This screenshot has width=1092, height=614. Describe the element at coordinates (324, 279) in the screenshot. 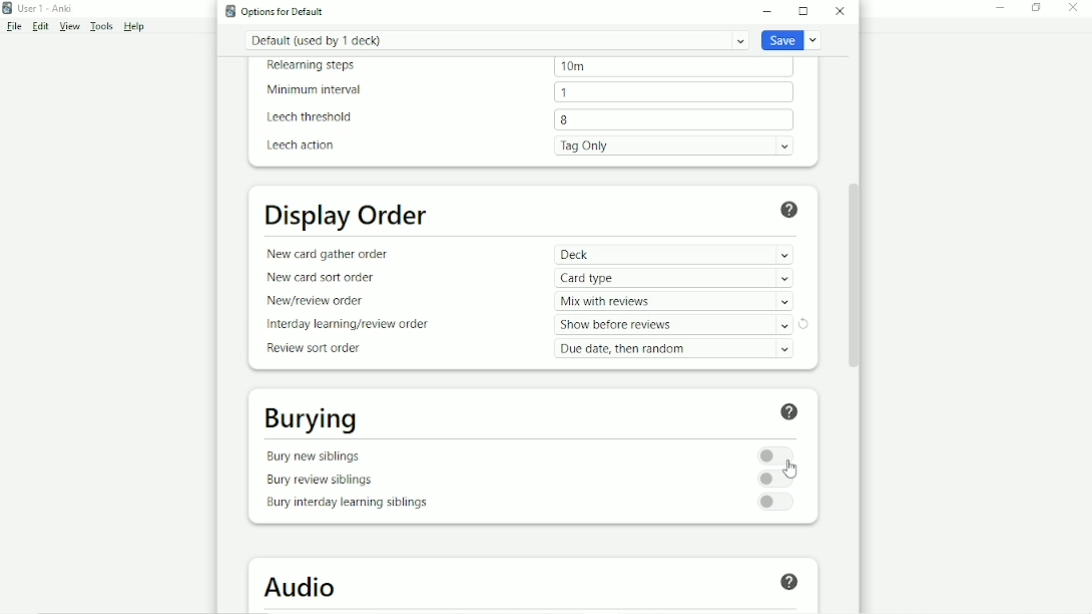

I see `New card sort order` at that location.